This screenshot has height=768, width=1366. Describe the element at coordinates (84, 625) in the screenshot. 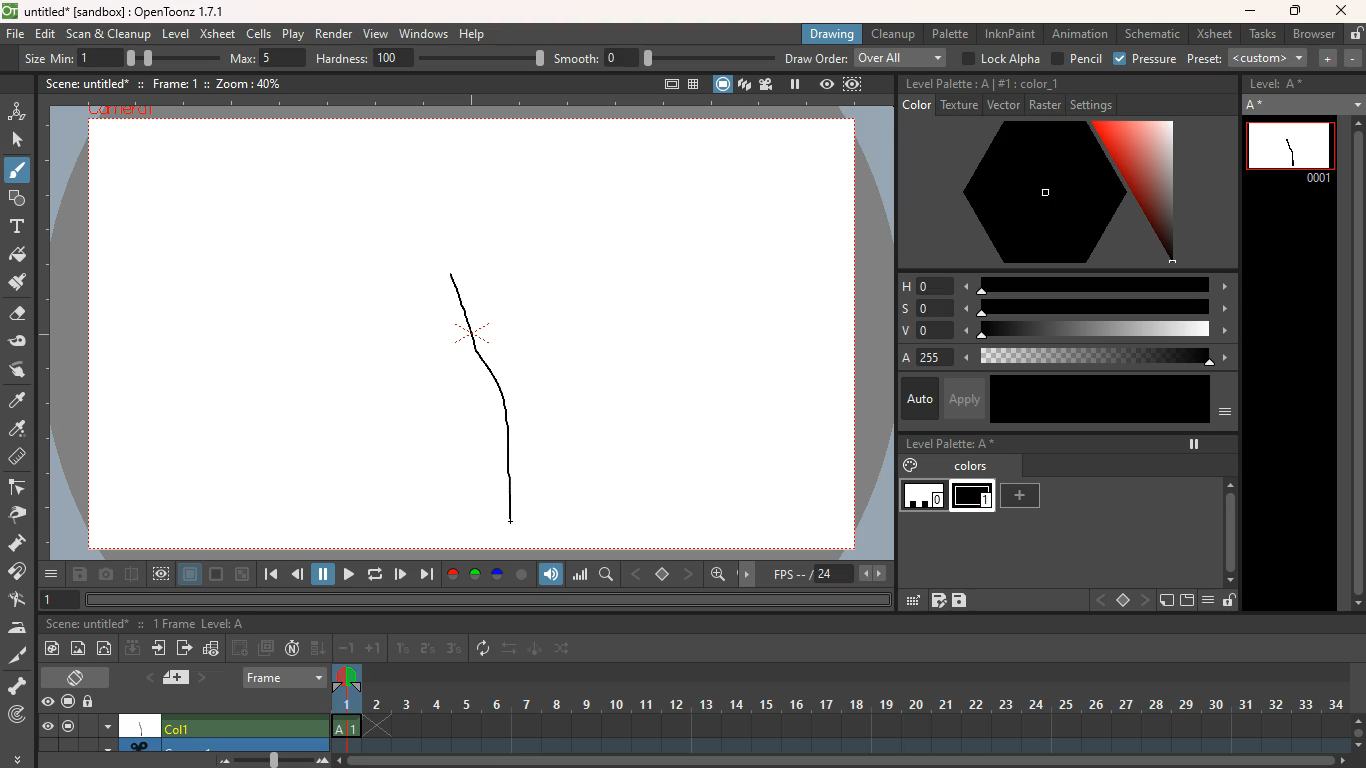

I see `scene: untitled` at that location.